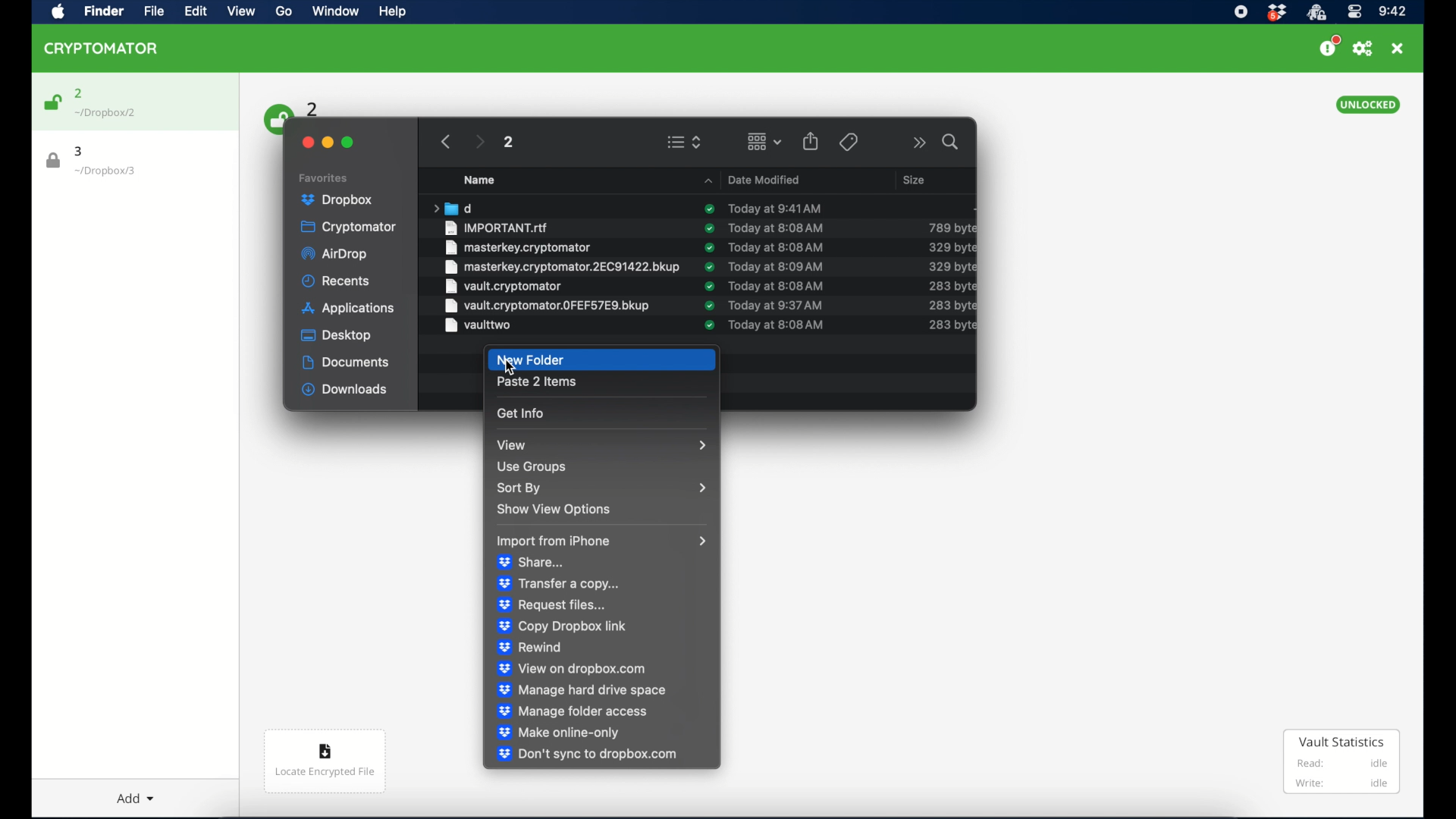 The width and height of the screenshot is (1456, 819). I want to click on request files, so click(551, 605).